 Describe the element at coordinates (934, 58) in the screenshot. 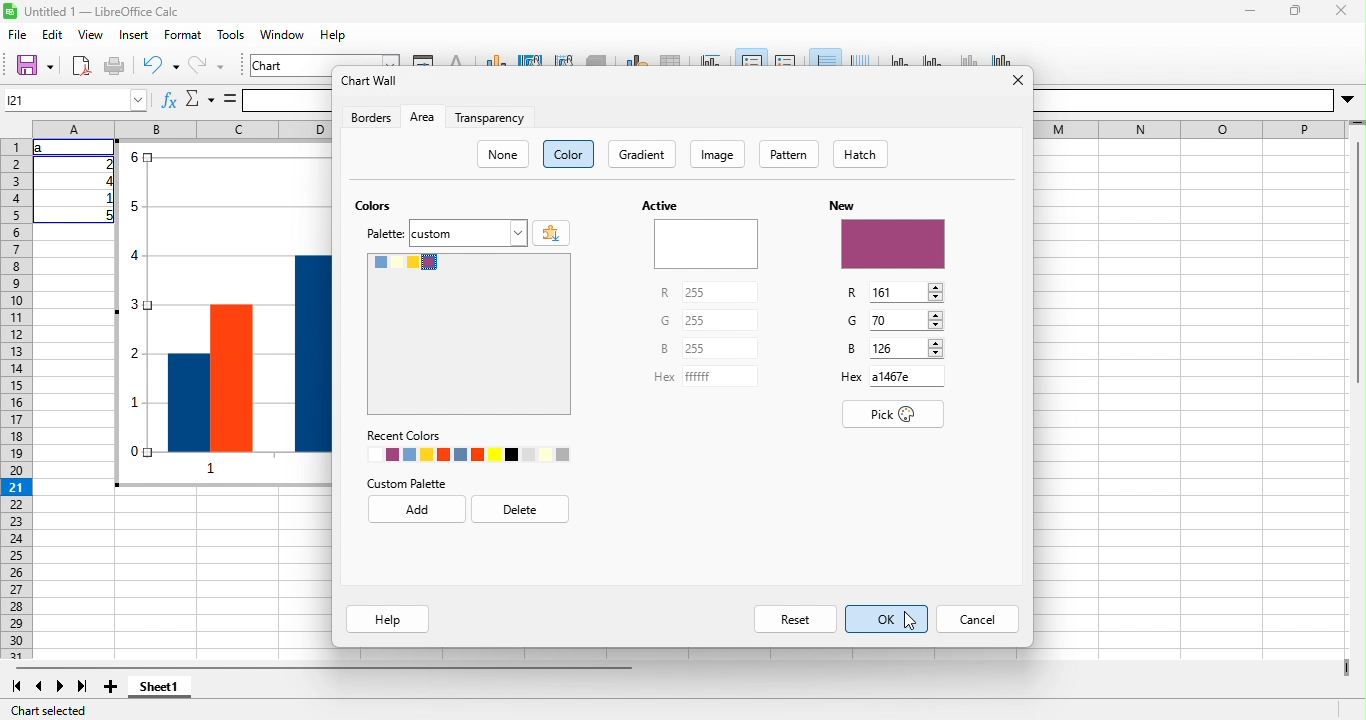

I see `y axis` at that location.